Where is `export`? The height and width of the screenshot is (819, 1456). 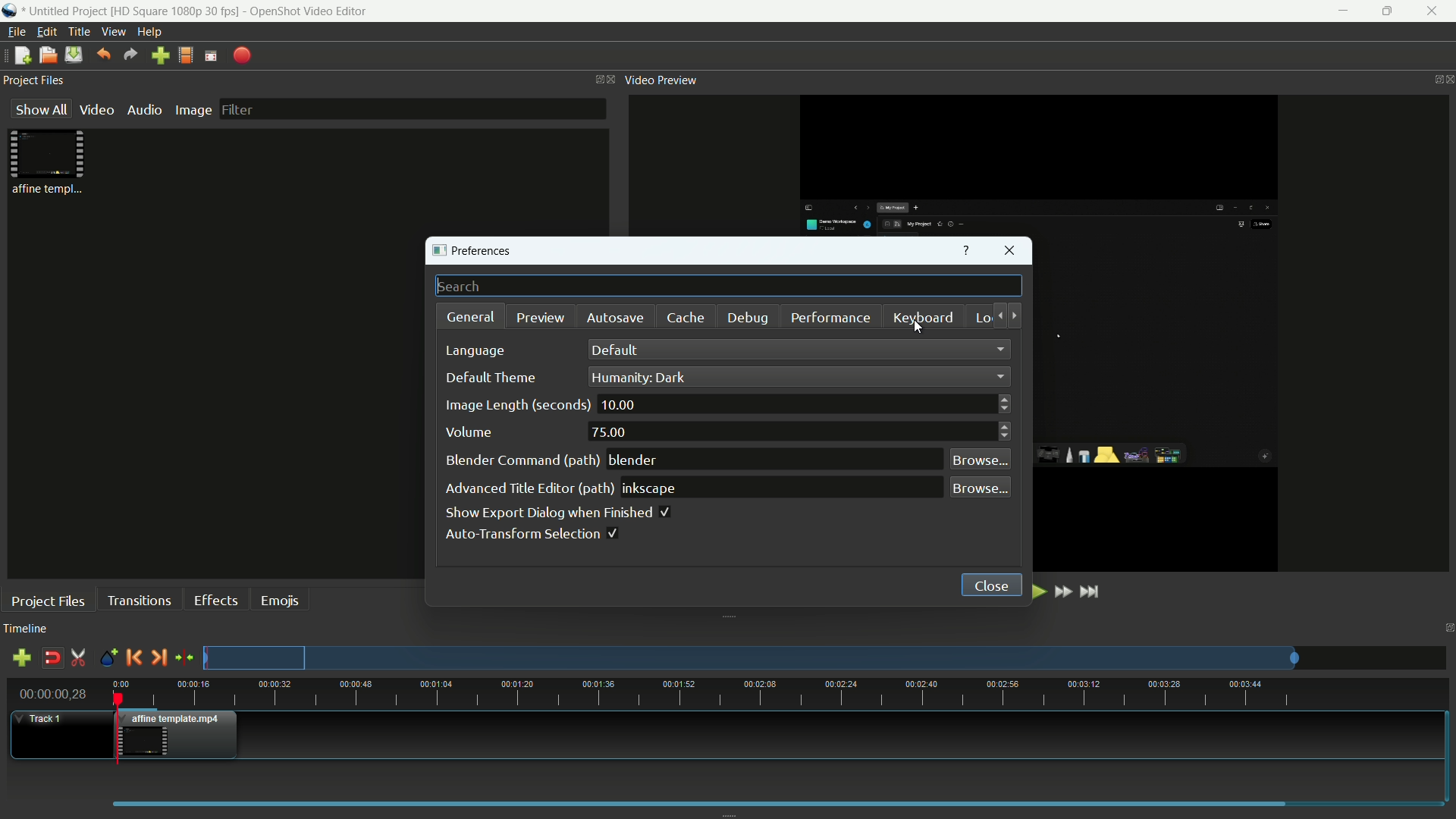 export is located at coordinates (243, 55).